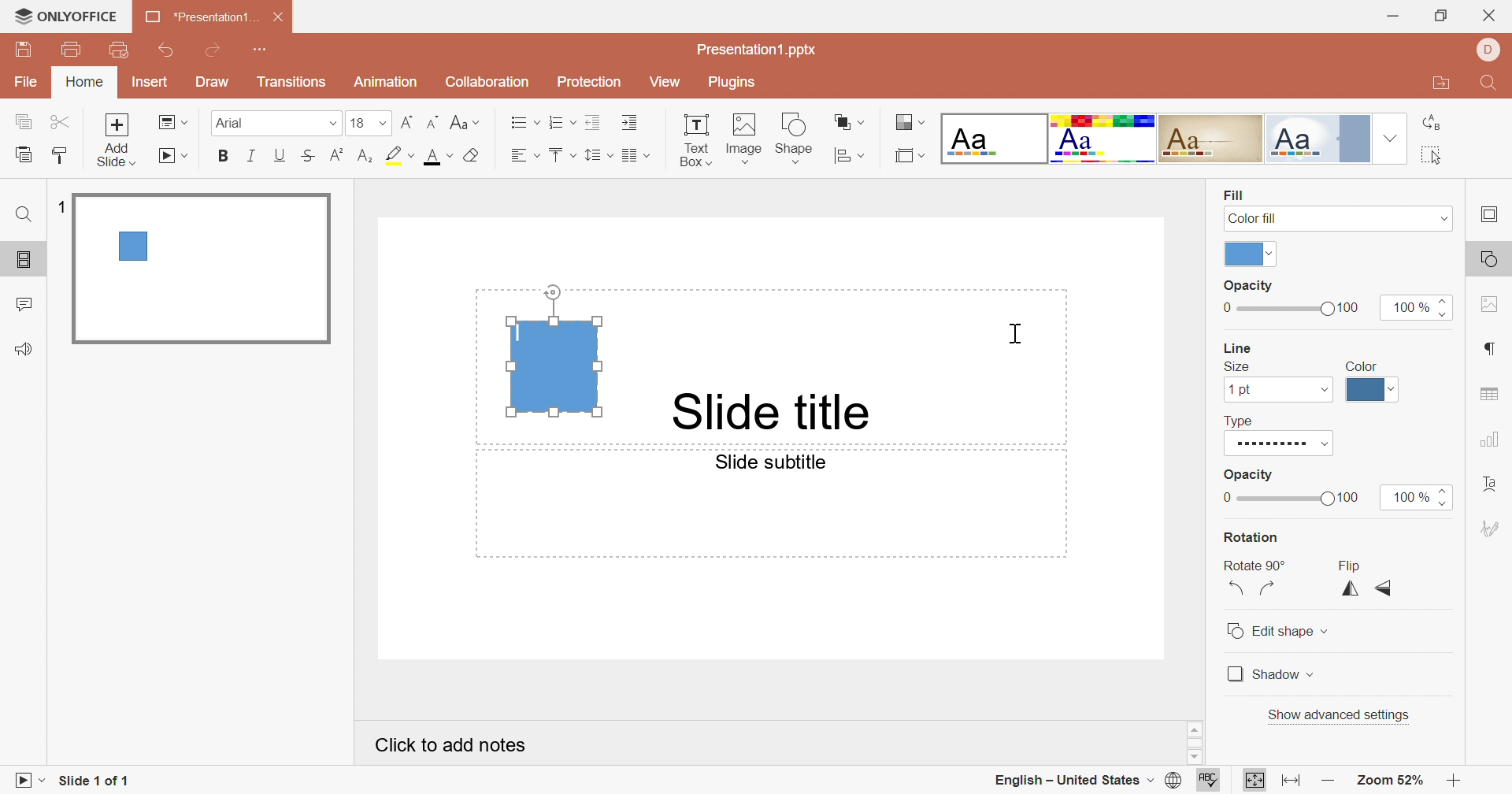  Describe the element at coordinates (1288, 781) in the screenshot. I see `Fit to width` at that location.